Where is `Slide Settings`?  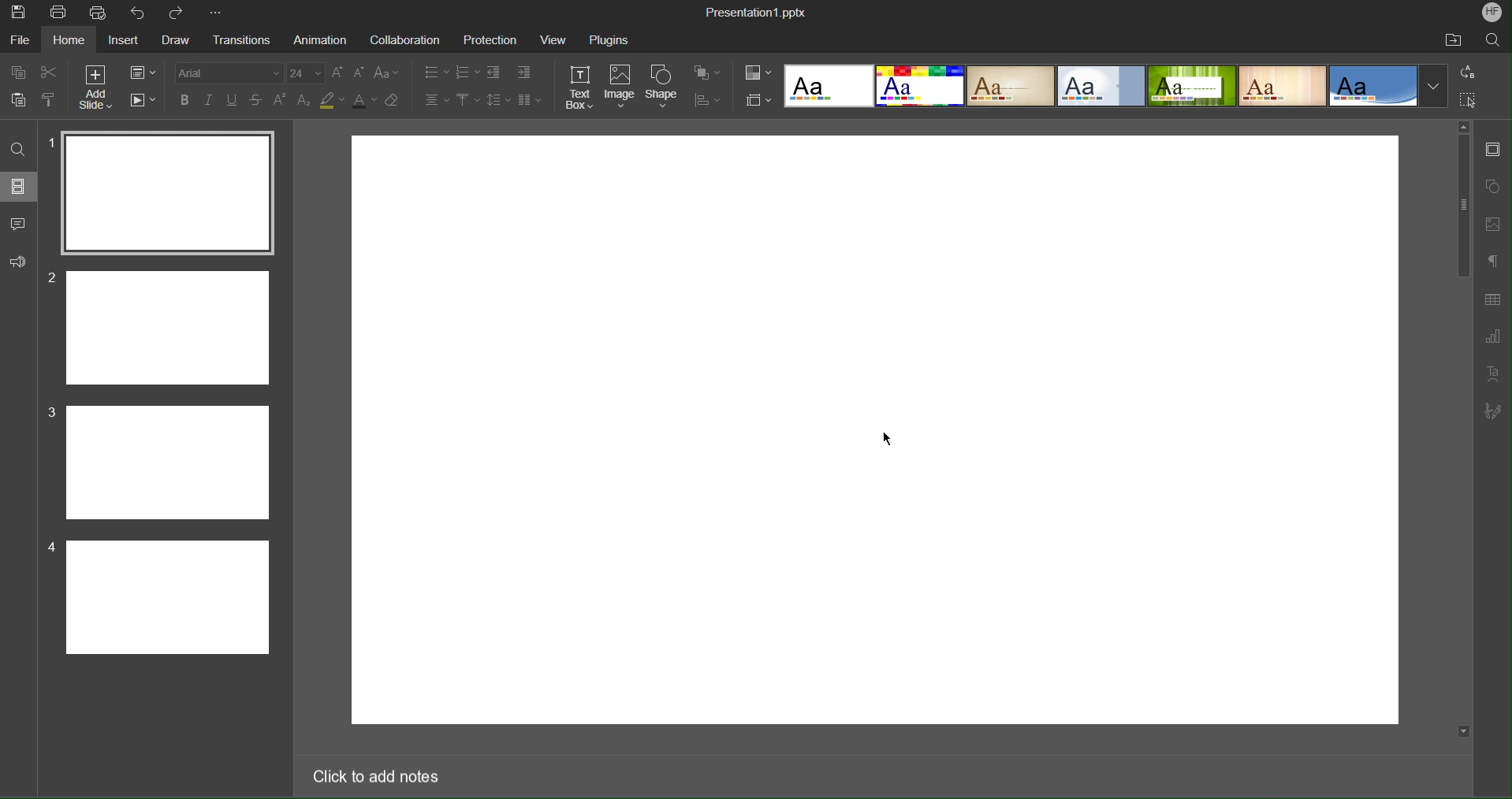
Slide Settings is located at coordinates (1494, 149).